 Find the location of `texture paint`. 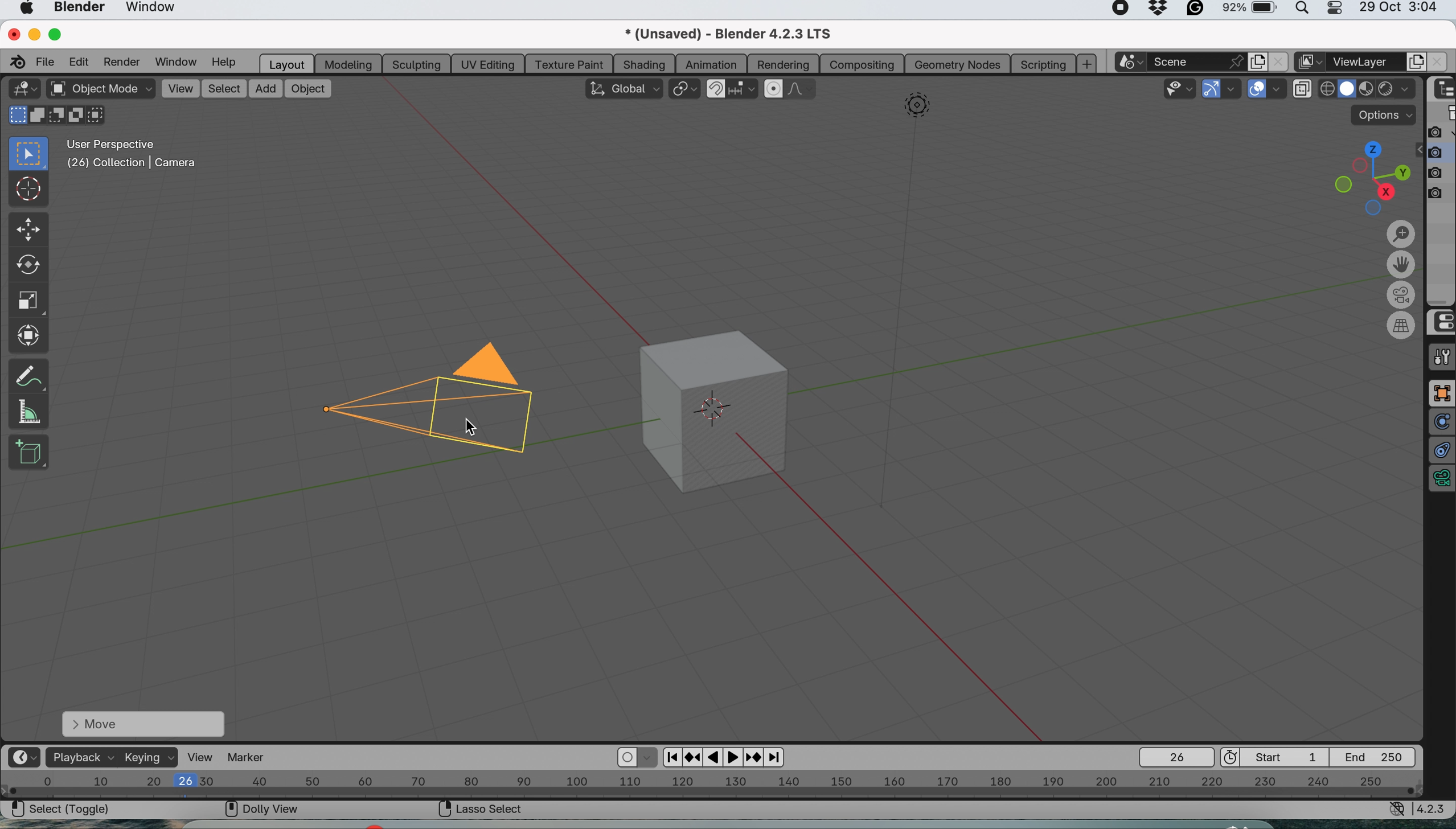

texture paint is located at coordinates (568, 64).